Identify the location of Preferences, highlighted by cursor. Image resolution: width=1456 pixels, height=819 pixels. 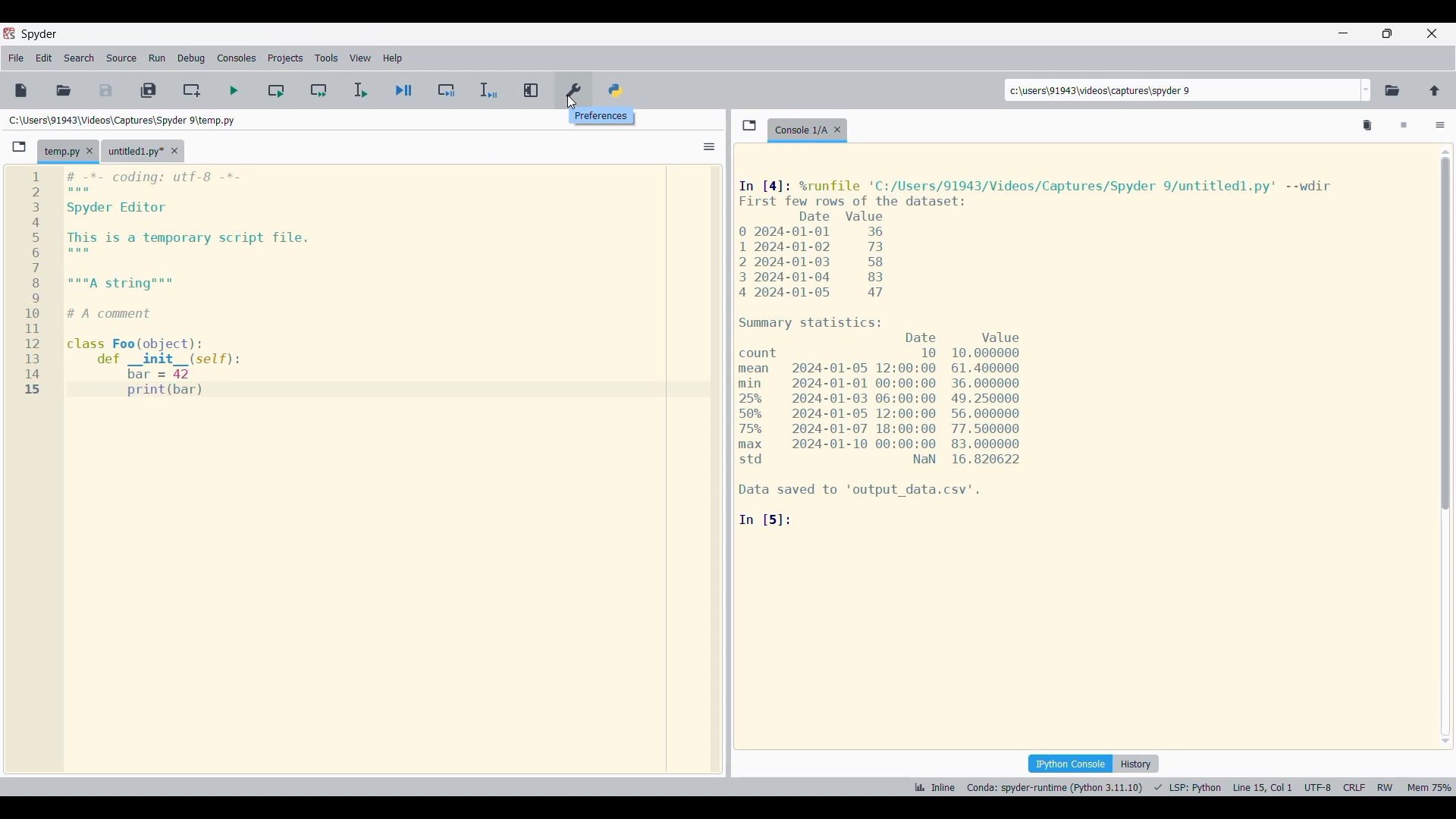
(573, 89).